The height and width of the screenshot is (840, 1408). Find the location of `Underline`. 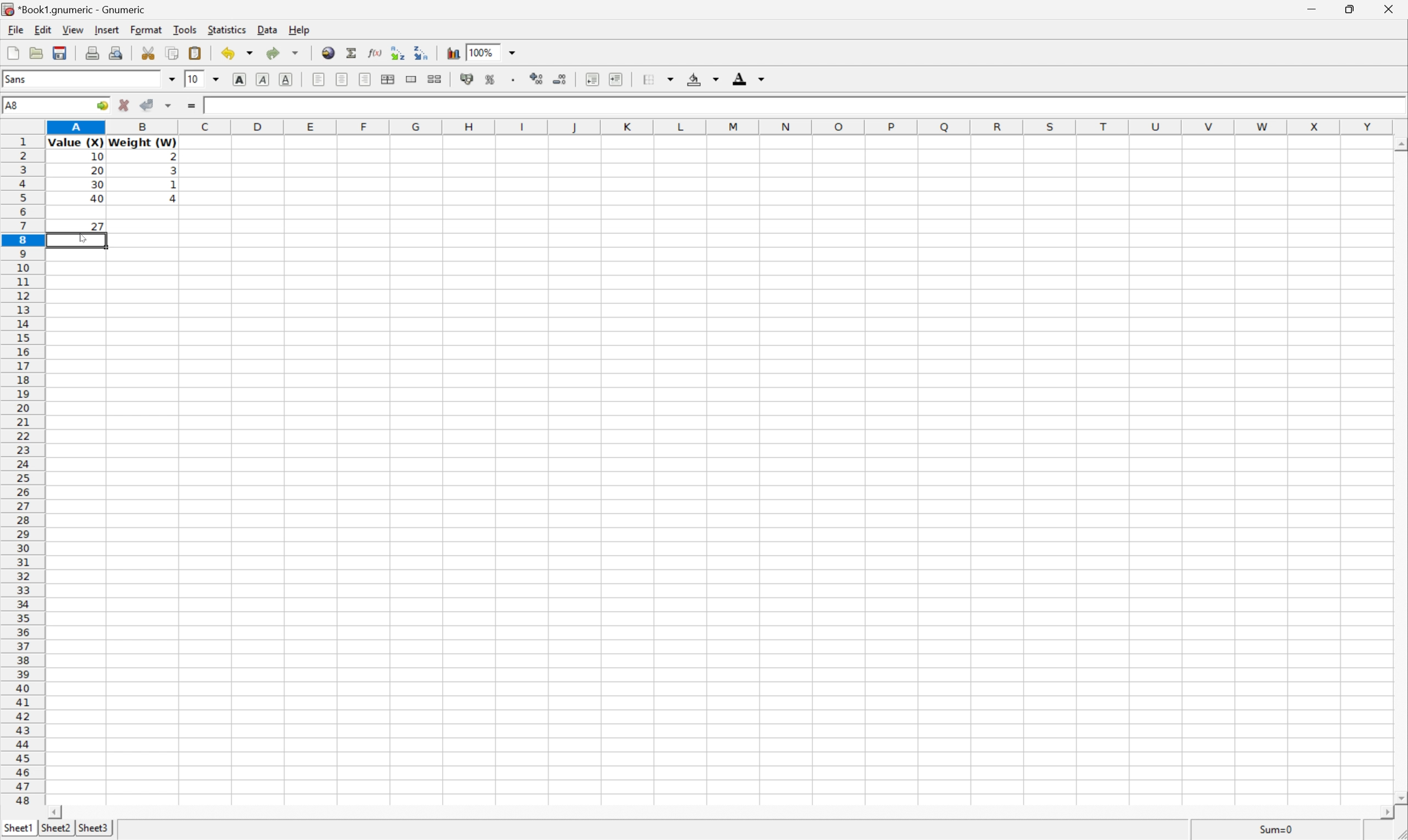

Underline is located at coordinates (288, 80).